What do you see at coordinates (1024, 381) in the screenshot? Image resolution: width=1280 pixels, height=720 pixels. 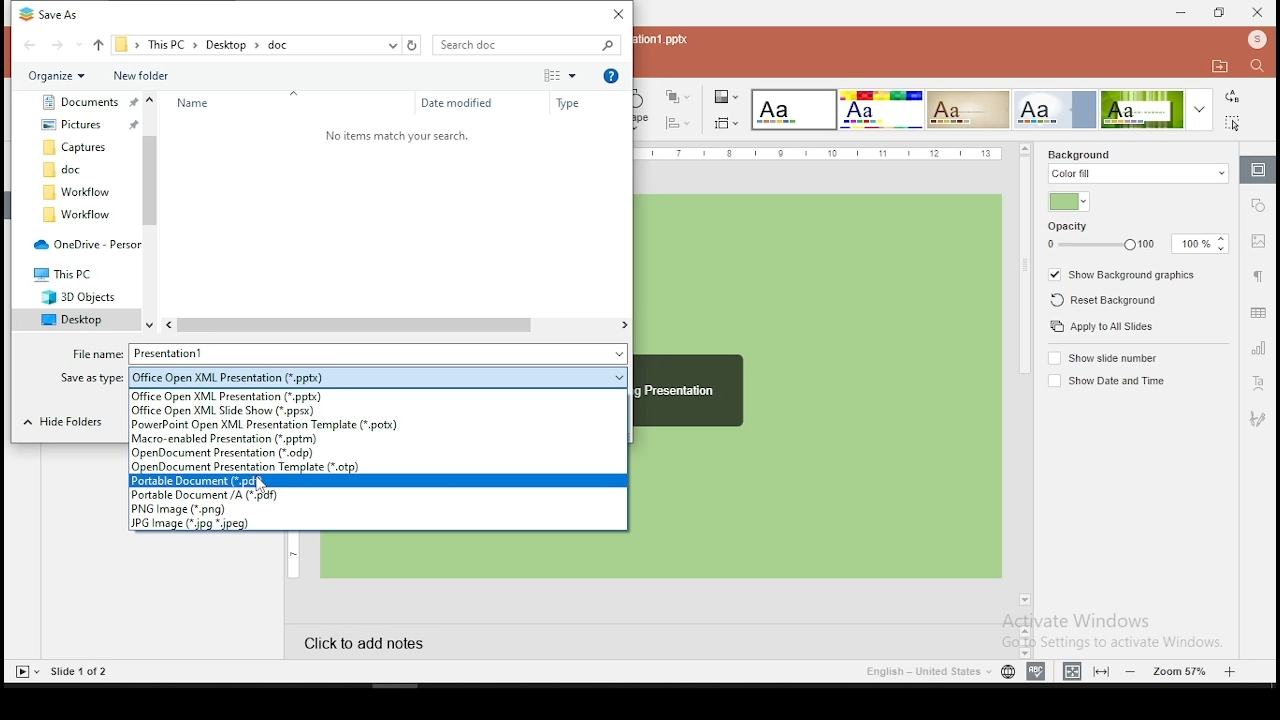 I see `scroll bar` at bounding box center [1024, 381].